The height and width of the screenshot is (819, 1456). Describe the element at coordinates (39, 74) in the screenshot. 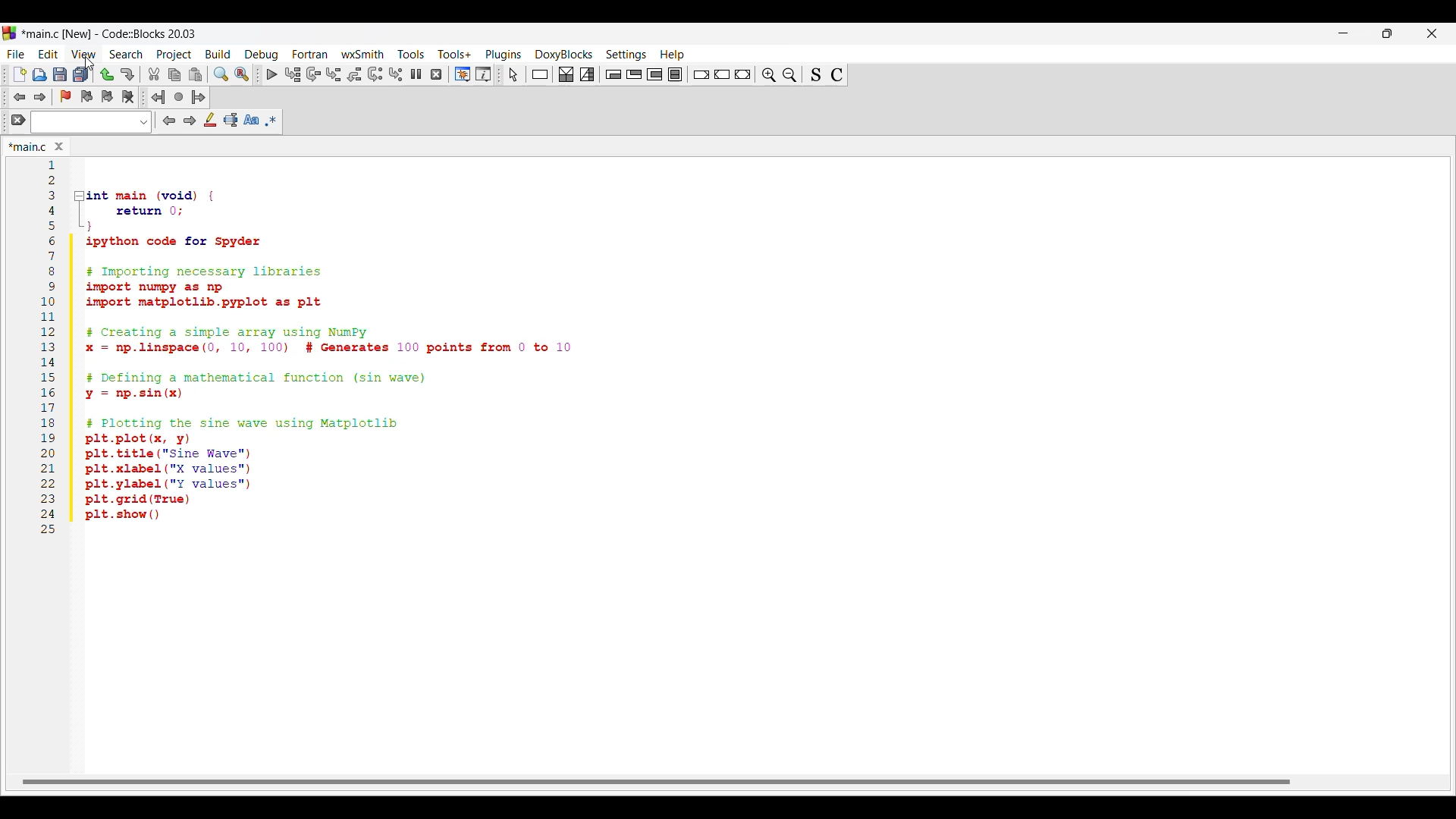

I see `Open` at that location.